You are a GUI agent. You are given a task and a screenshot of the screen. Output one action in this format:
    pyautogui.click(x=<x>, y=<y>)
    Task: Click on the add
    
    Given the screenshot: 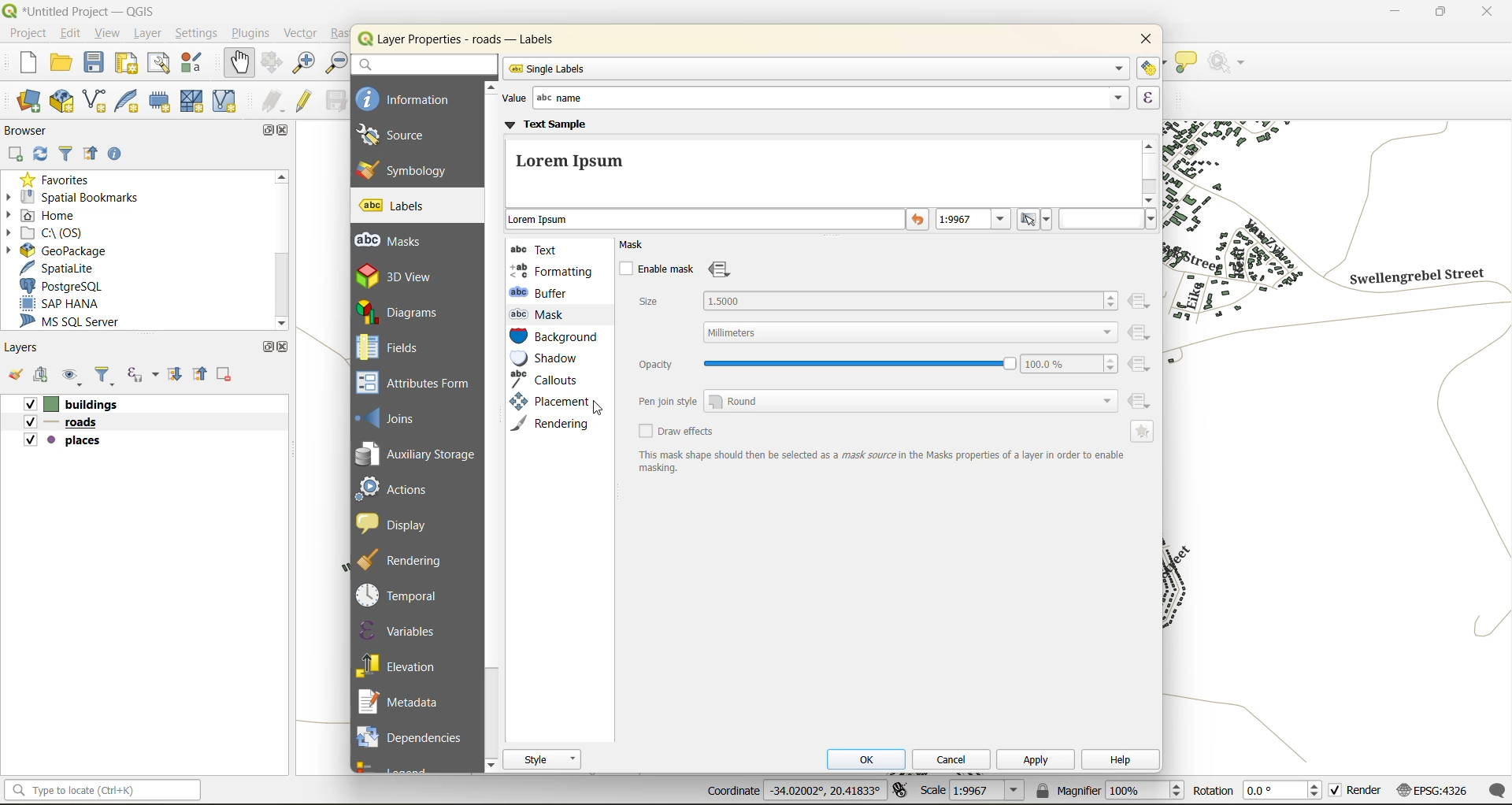 What is the action you would take?
    pyautogui.click(x=43, y=374)
    